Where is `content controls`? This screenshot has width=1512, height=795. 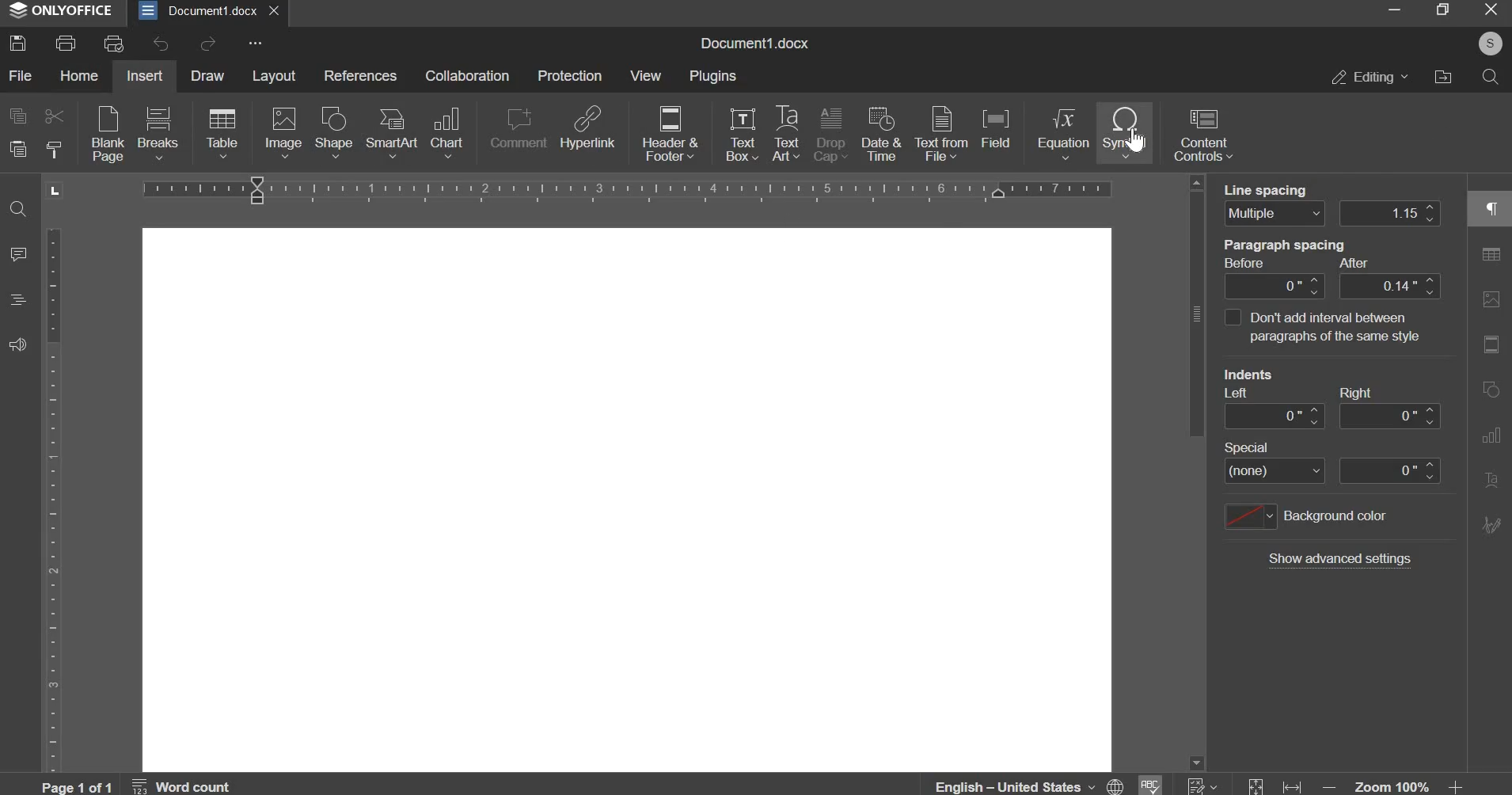 content controls is located at coordinates (1203, 134).